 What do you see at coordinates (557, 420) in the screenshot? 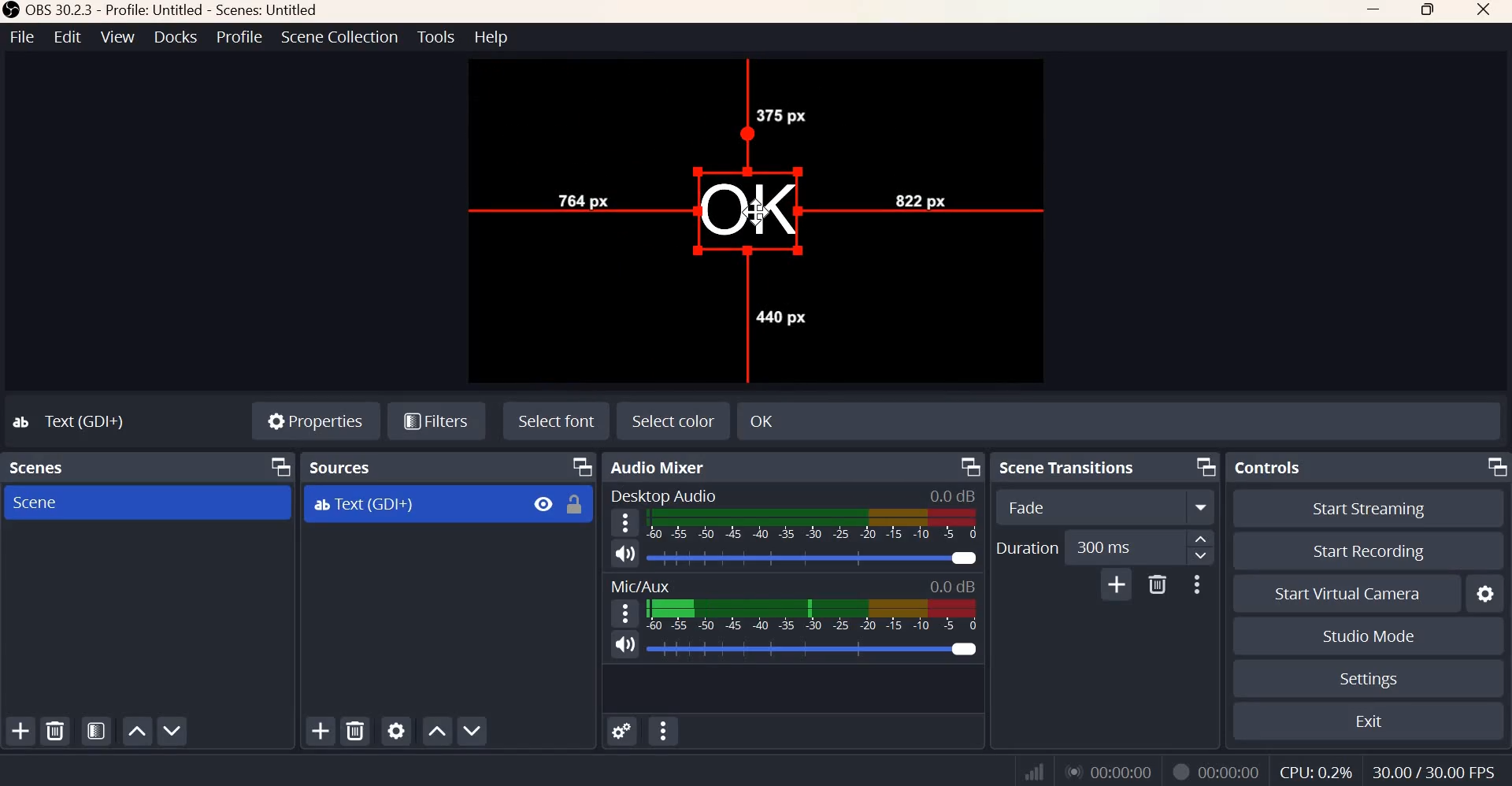
I see `Select font` at bounding box center [557, 420].